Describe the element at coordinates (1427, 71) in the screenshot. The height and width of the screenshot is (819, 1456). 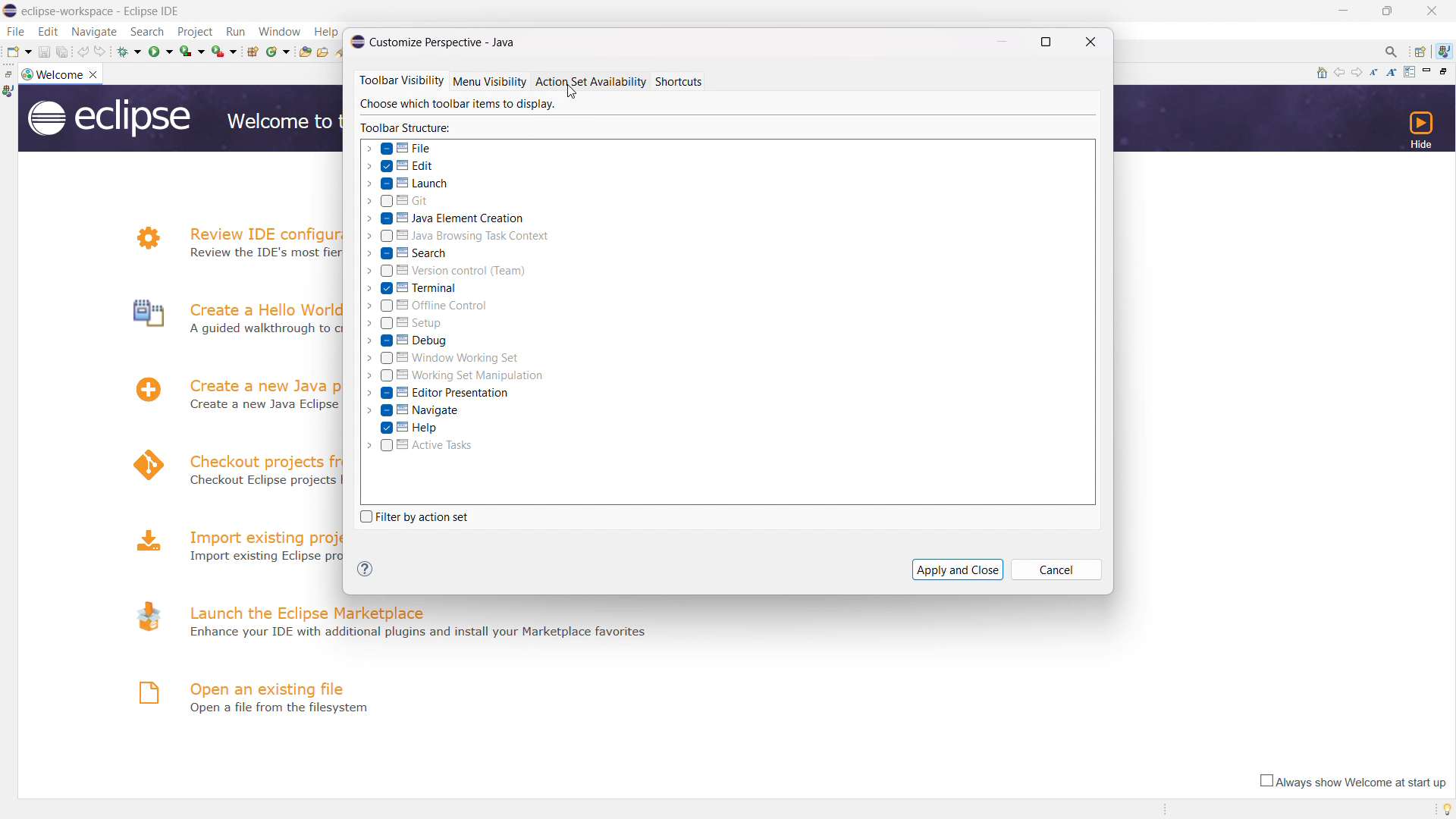
I see `minimize page` at that location.